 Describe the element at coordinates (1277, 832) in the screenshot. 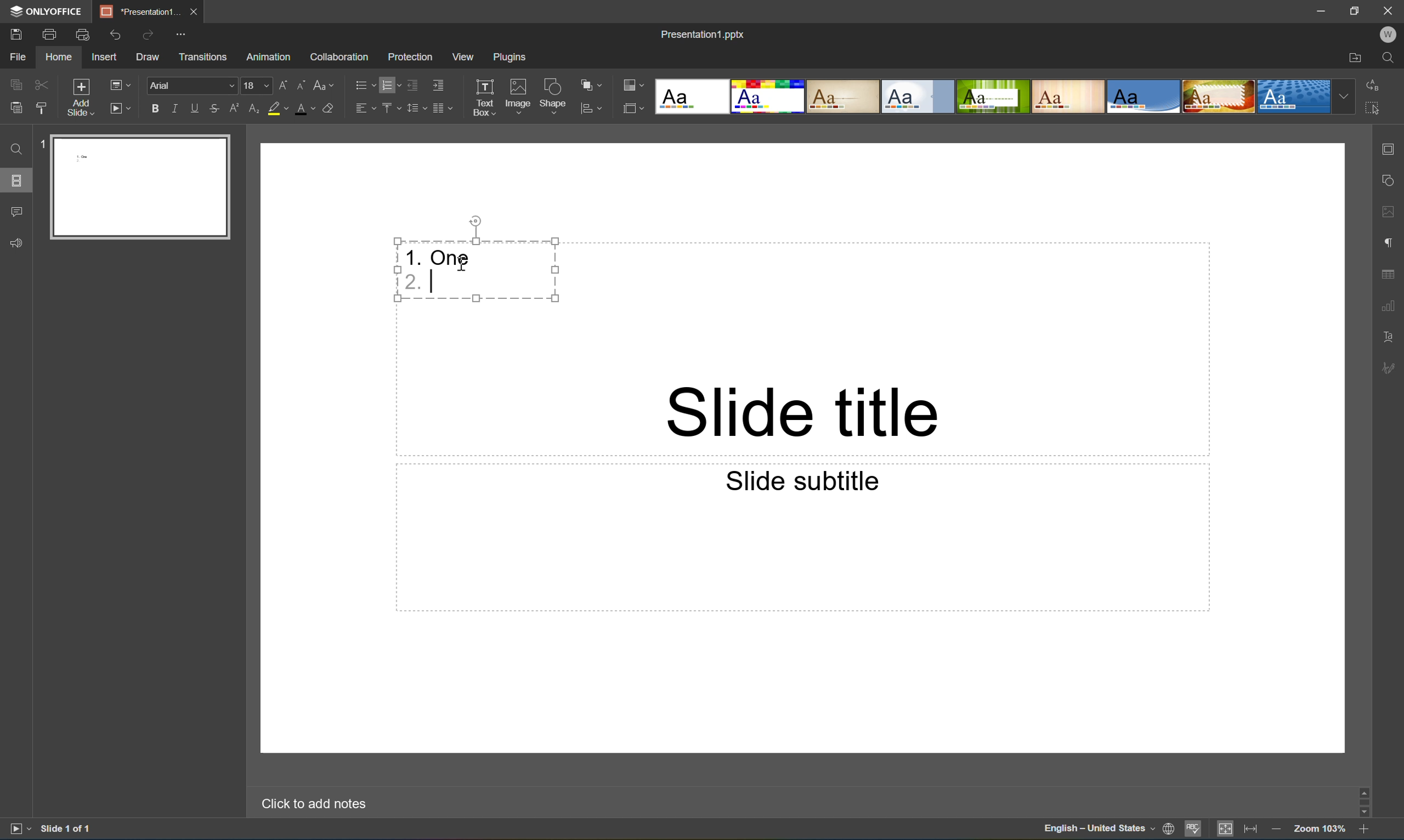

I see `Zoom out` at that location.